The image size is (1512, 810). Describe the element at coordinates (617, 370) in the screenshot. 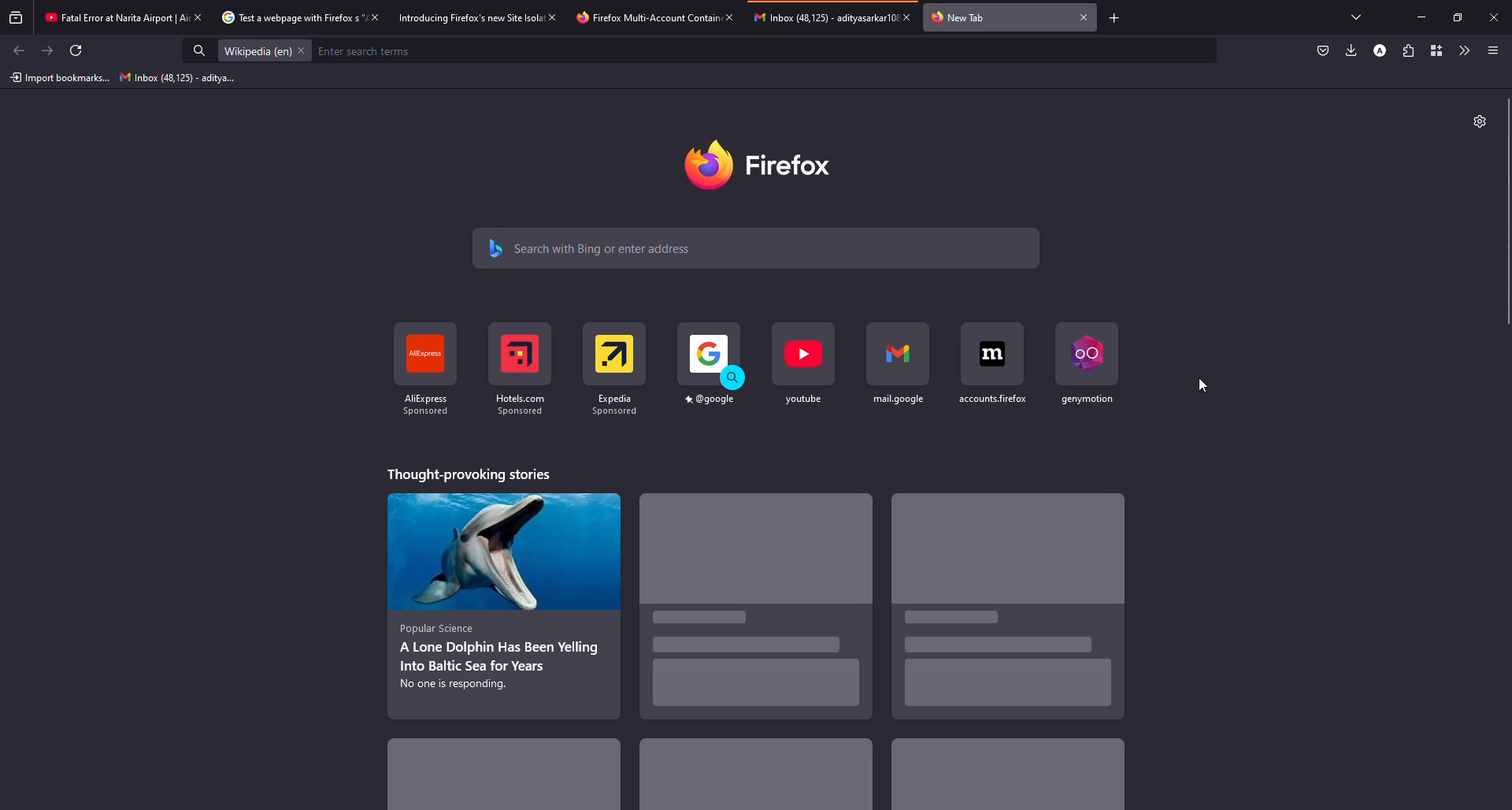

I see `Expedia sponsored` at that location.